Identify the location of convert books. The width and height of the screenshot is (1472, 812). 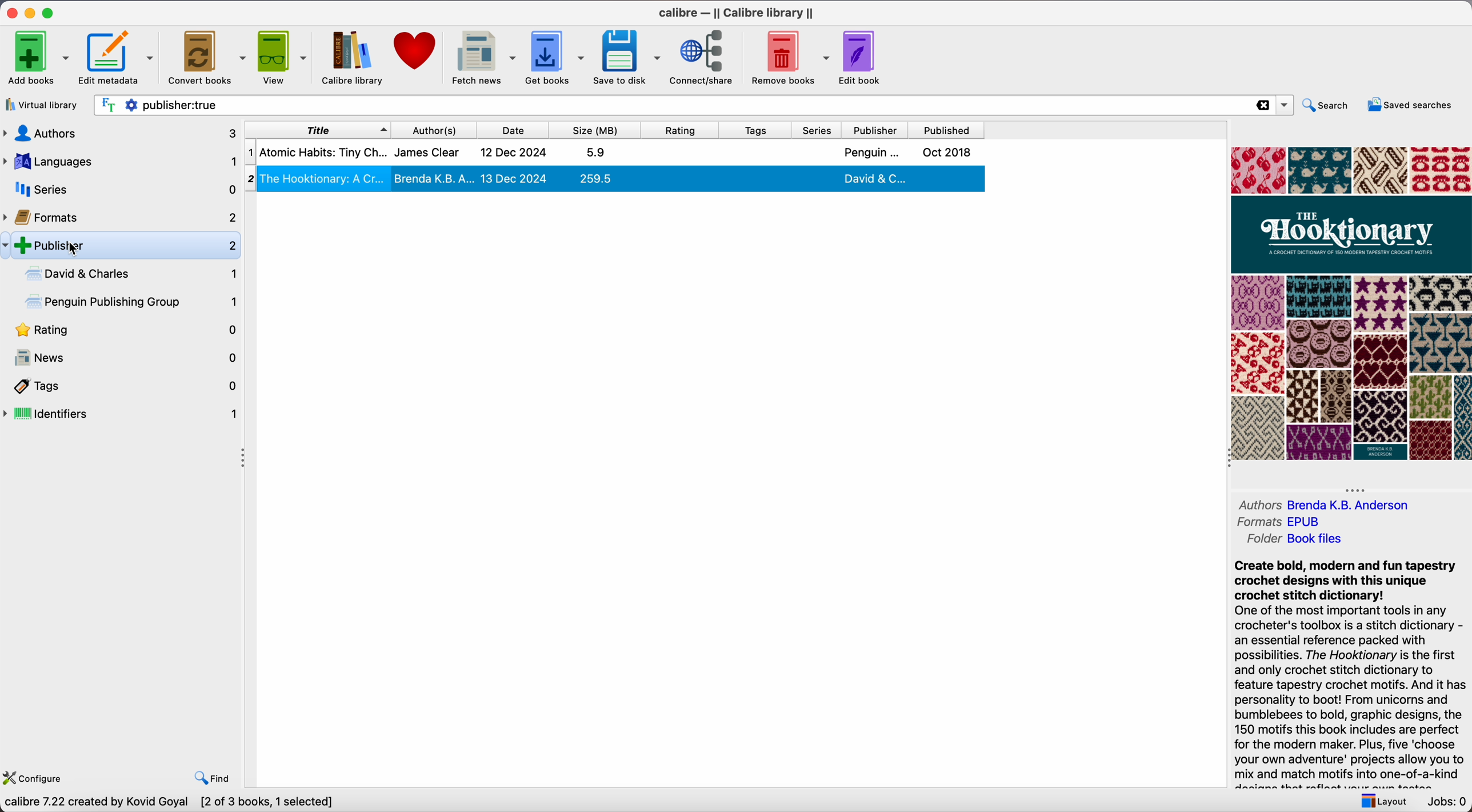
(207, 56).